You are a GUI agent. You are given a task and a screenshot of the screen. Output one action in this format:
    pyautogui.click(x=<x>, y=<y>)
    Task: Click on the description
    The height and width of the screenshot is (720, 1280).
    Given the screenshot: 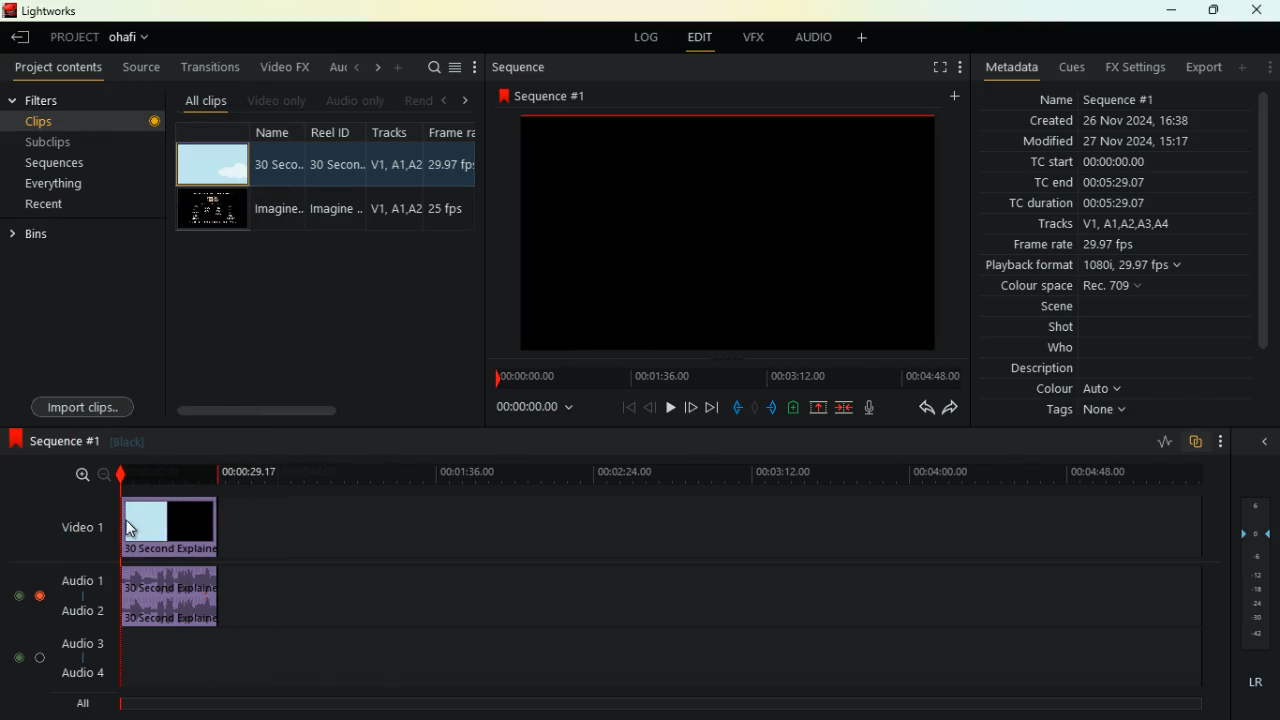 What is the action you would take?
    pyautogui.click(x=1042, y=369)
    